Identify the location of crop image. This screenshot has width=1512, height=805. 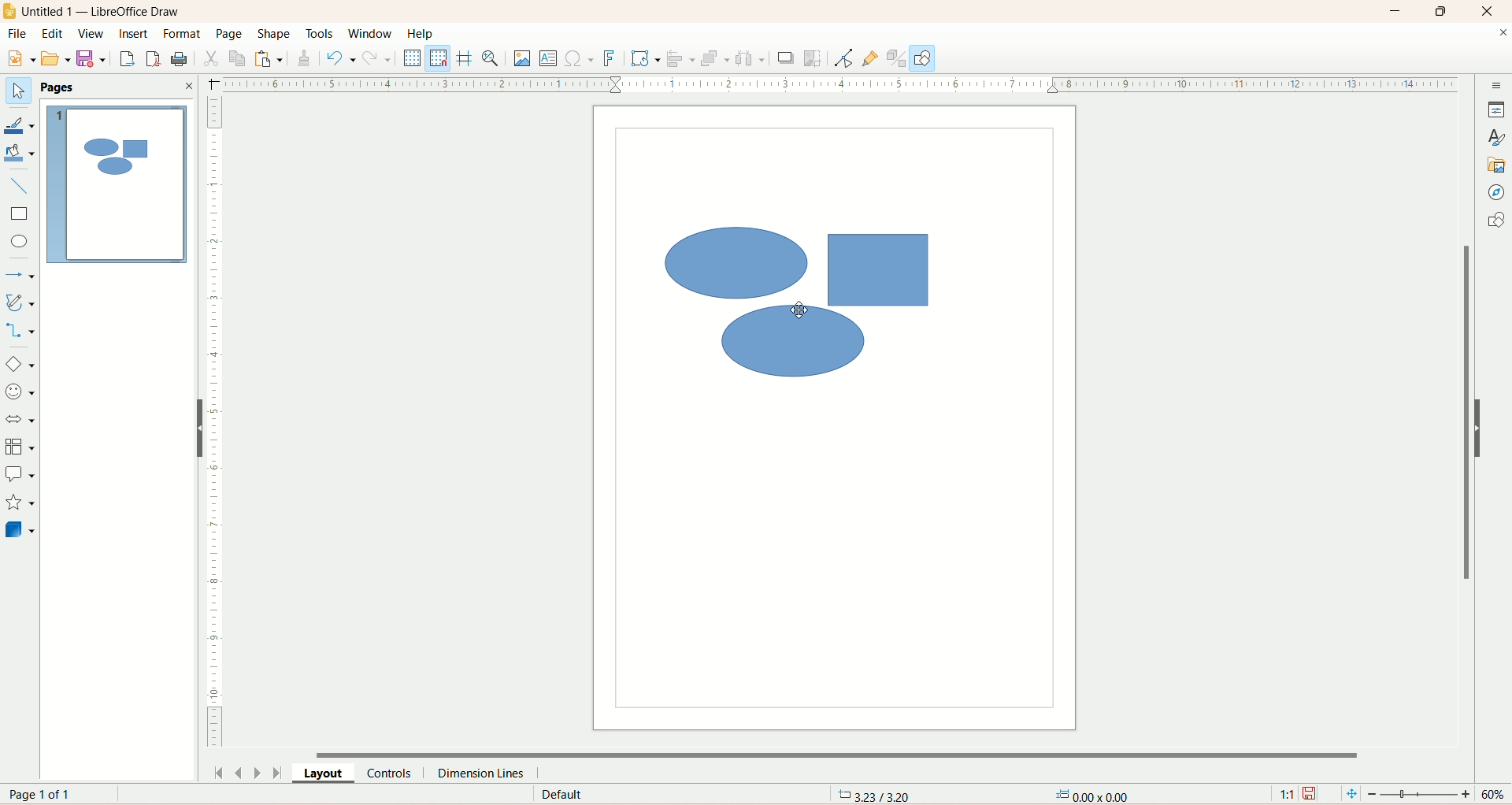
(813, 59).